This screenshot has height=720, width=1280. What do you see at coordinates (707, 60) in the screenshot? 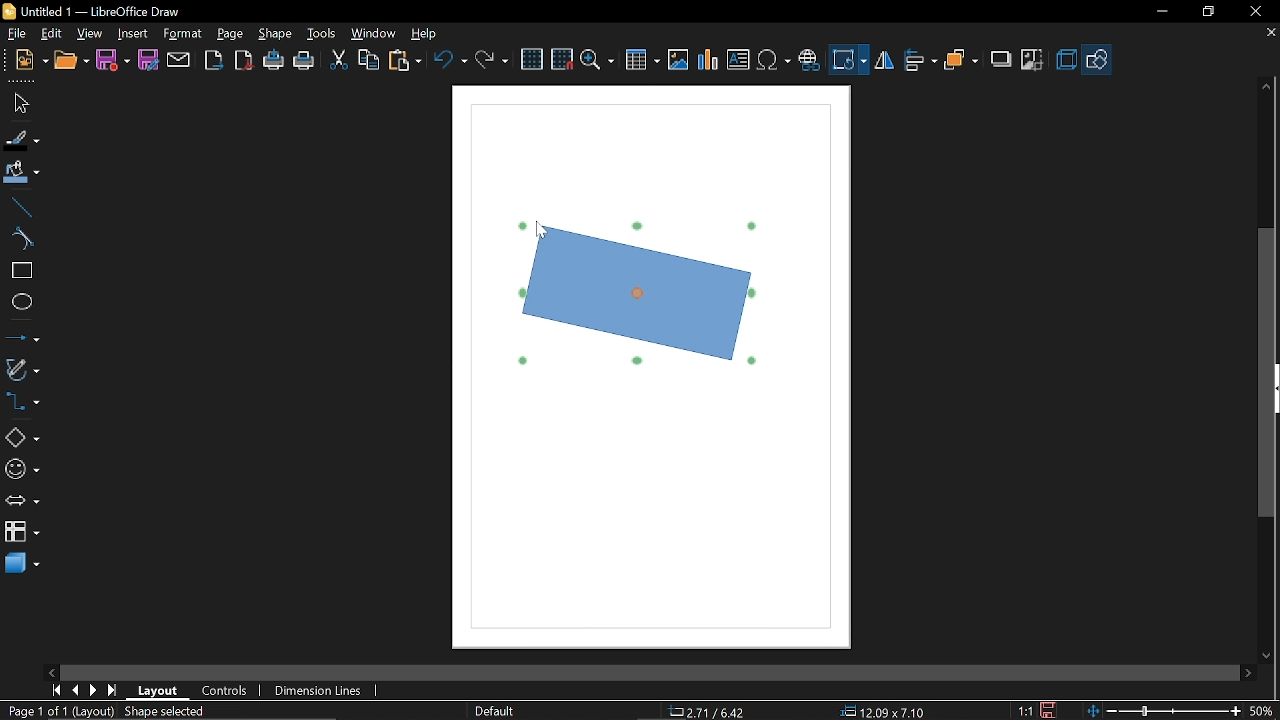
I see `Insert chart` at bounding box center [707, 60].